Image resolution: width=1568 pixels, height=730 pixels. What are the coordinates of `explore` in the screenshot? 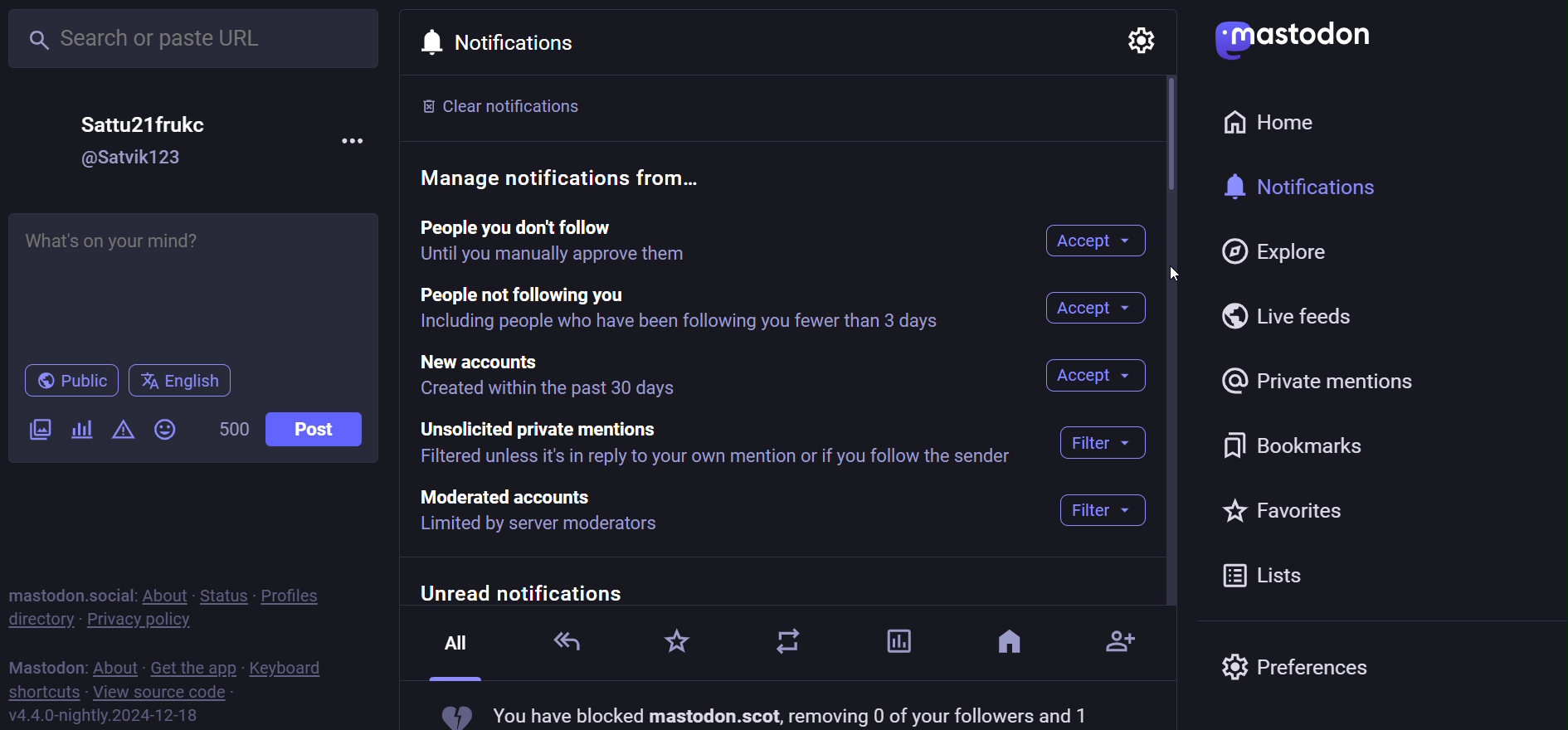 It's located at (1278, 252).